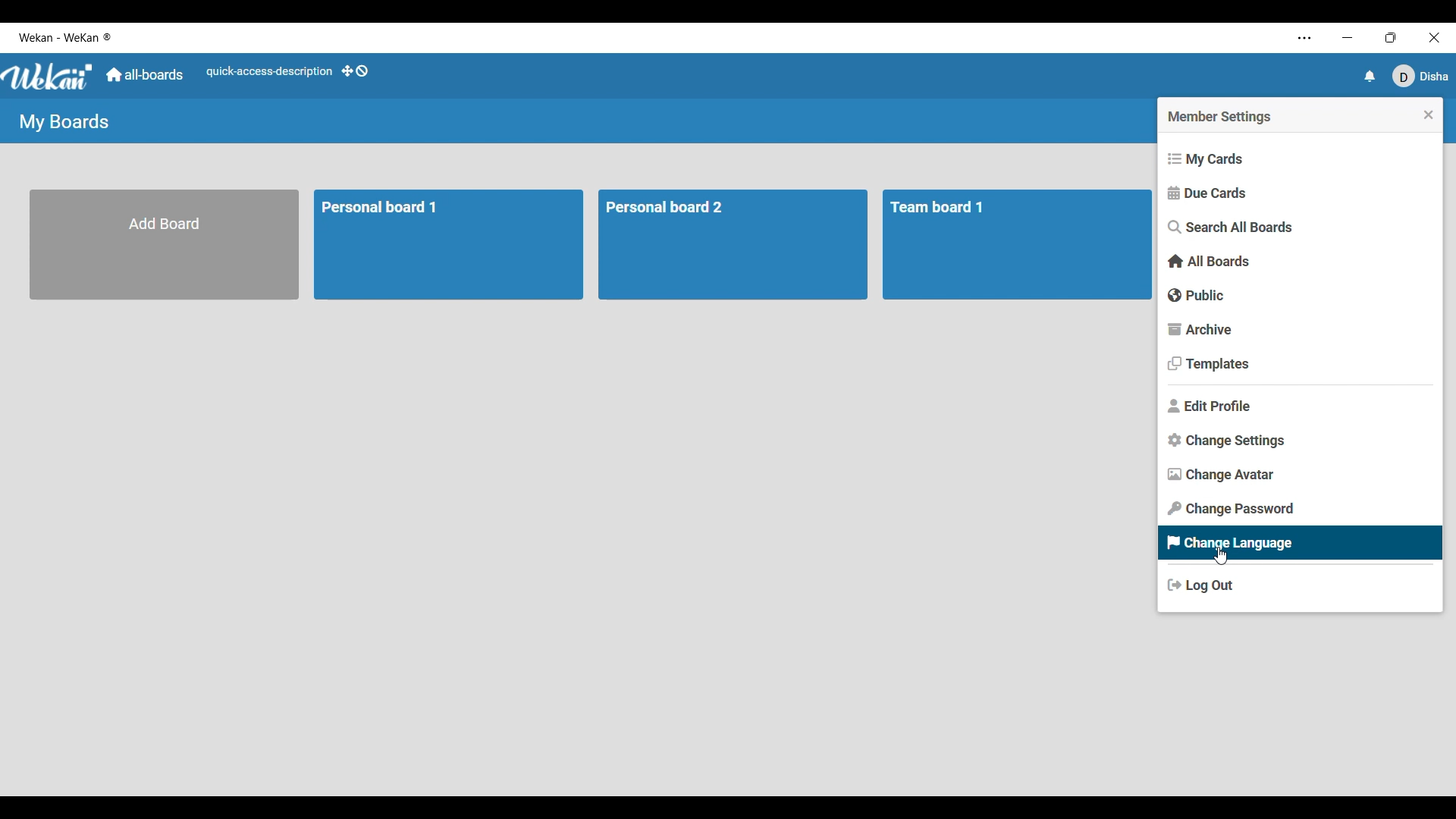 This screenshot has height=819, width=1456. Describe the element at coordinates (1300, 364) in the screenshot. I see `Templates` at that location.